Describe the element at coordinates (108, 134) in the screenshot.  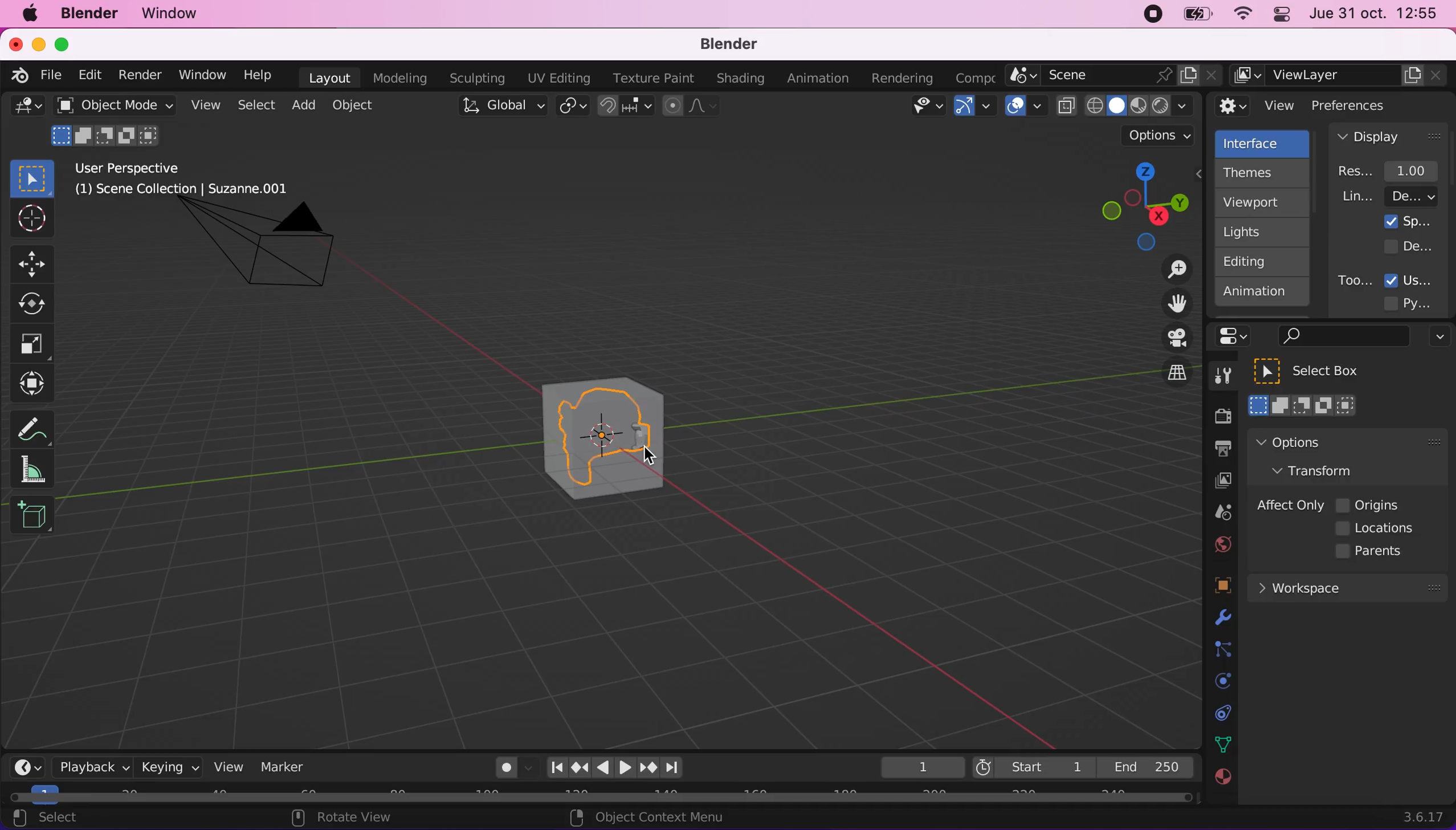
I see `mode` at that location.